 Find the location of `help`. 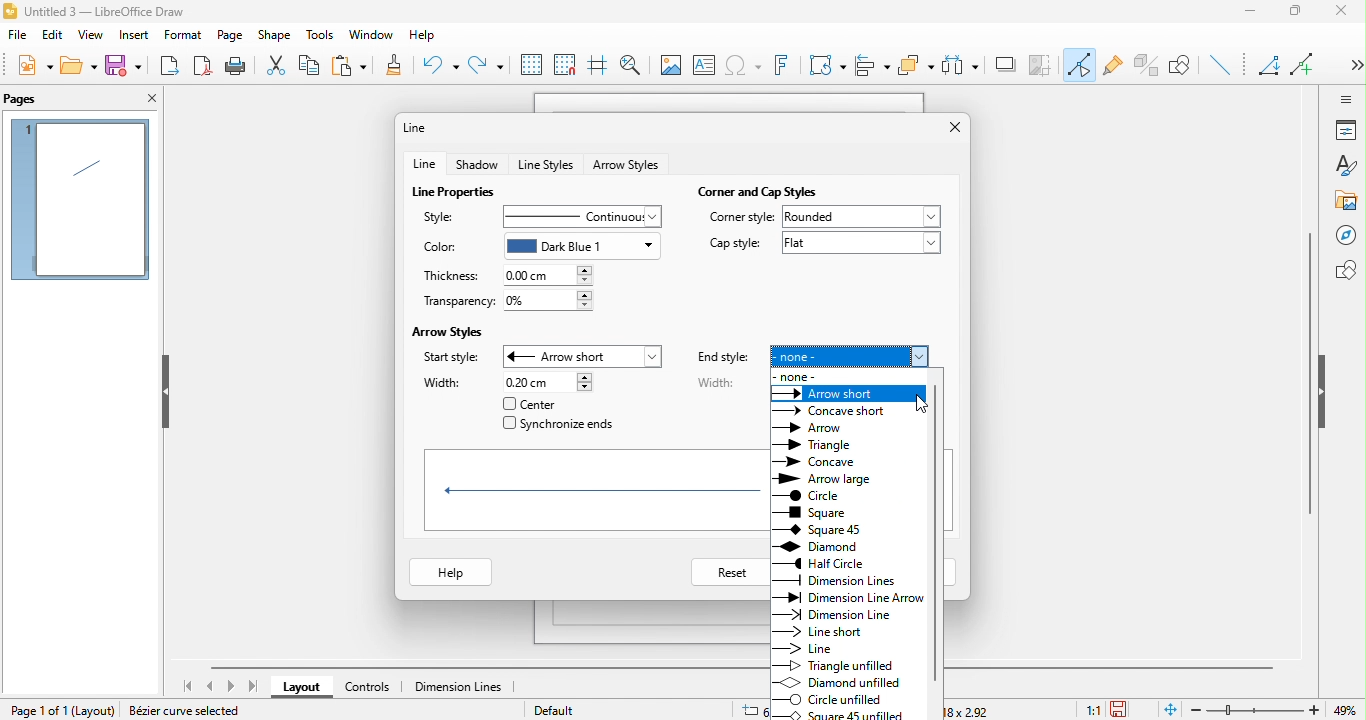

help is located at coordinates (452, 574).